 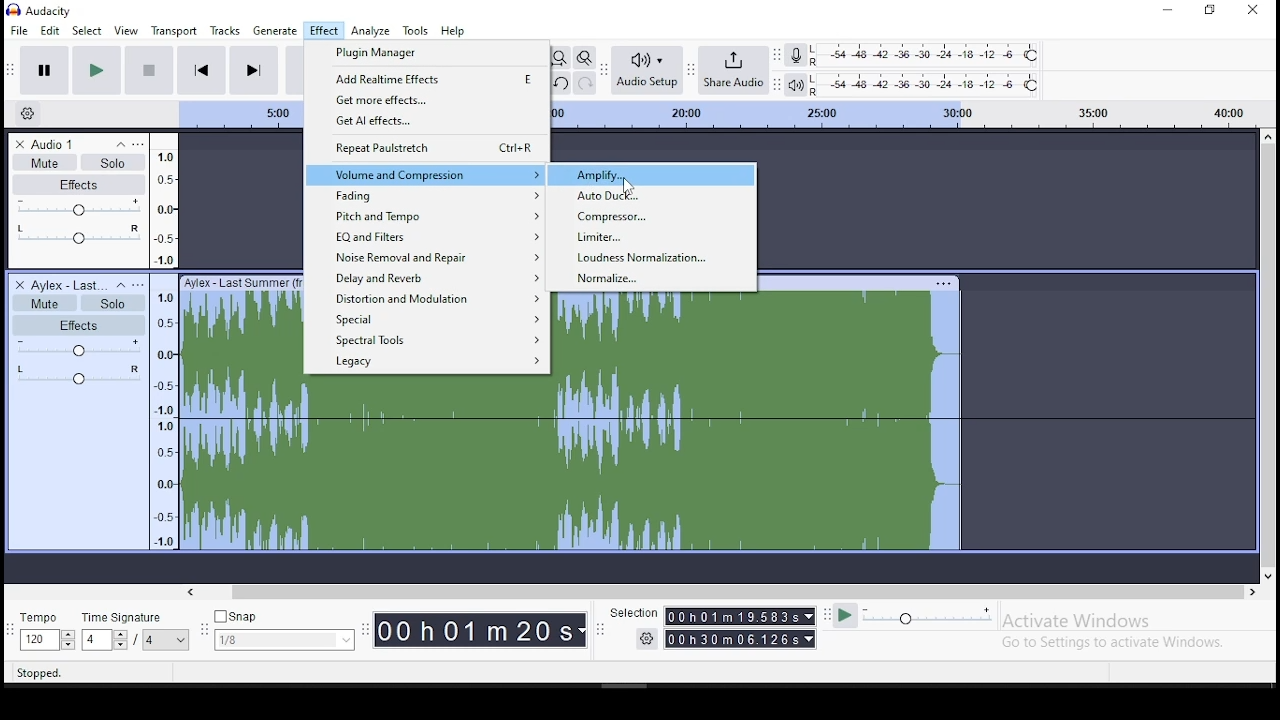 What do you see at coordinates (286, 629) in the screenshot?
I see `snap` at bounding box center [286, 629].